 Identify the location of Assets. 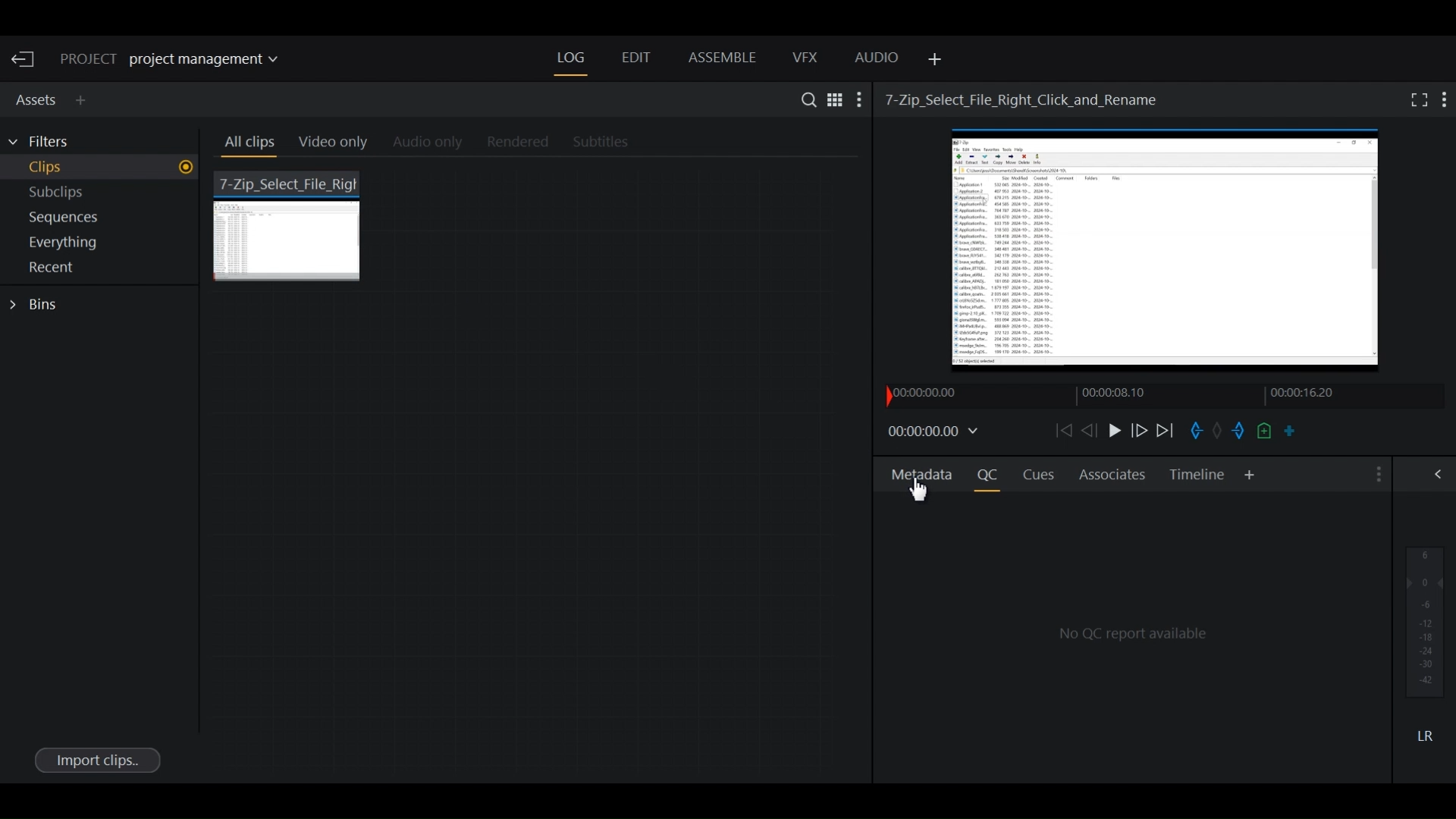
(33, 98).